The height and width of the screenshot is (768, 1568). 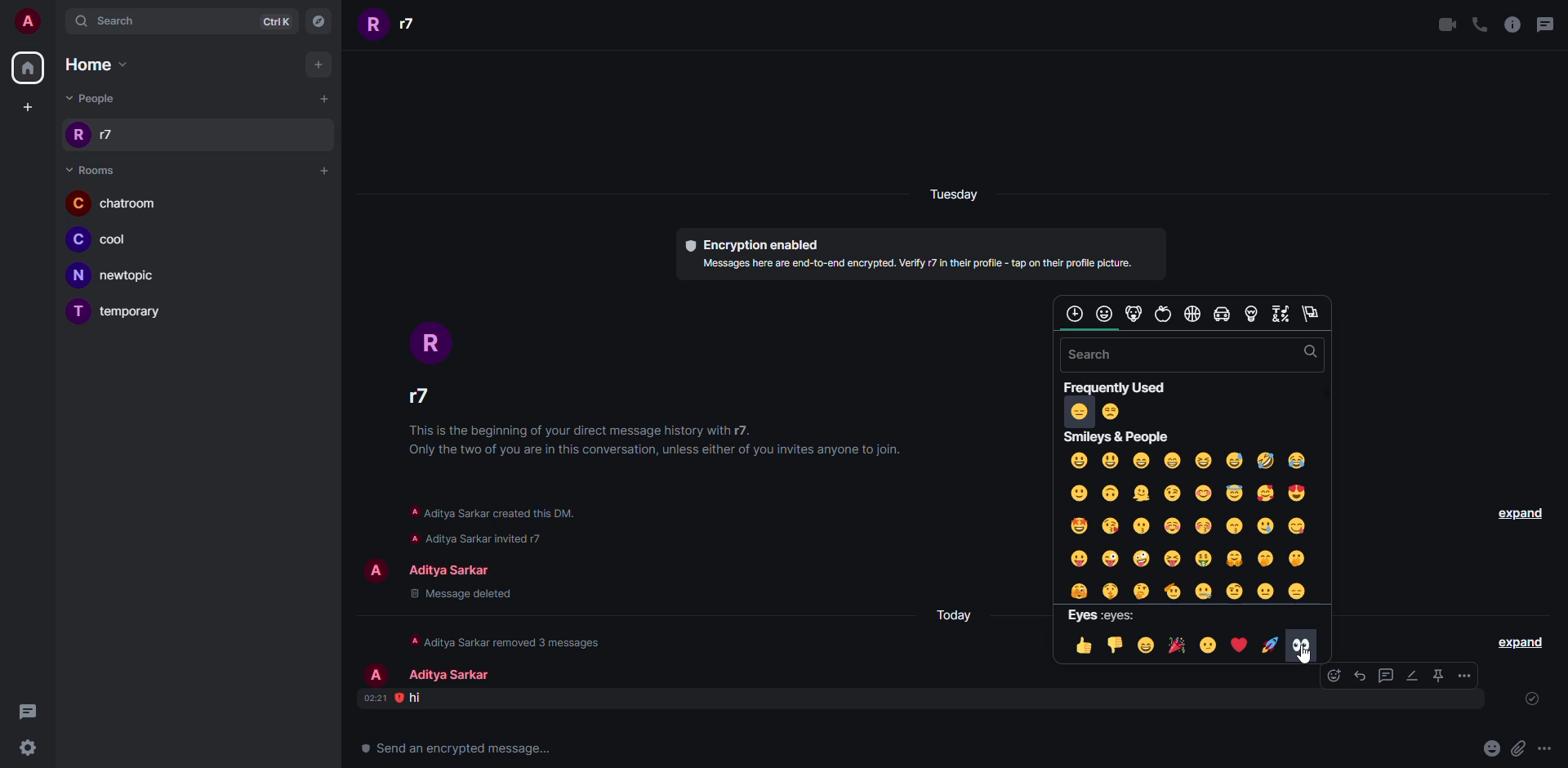 I want to click on add, so click(x=322, y=169).